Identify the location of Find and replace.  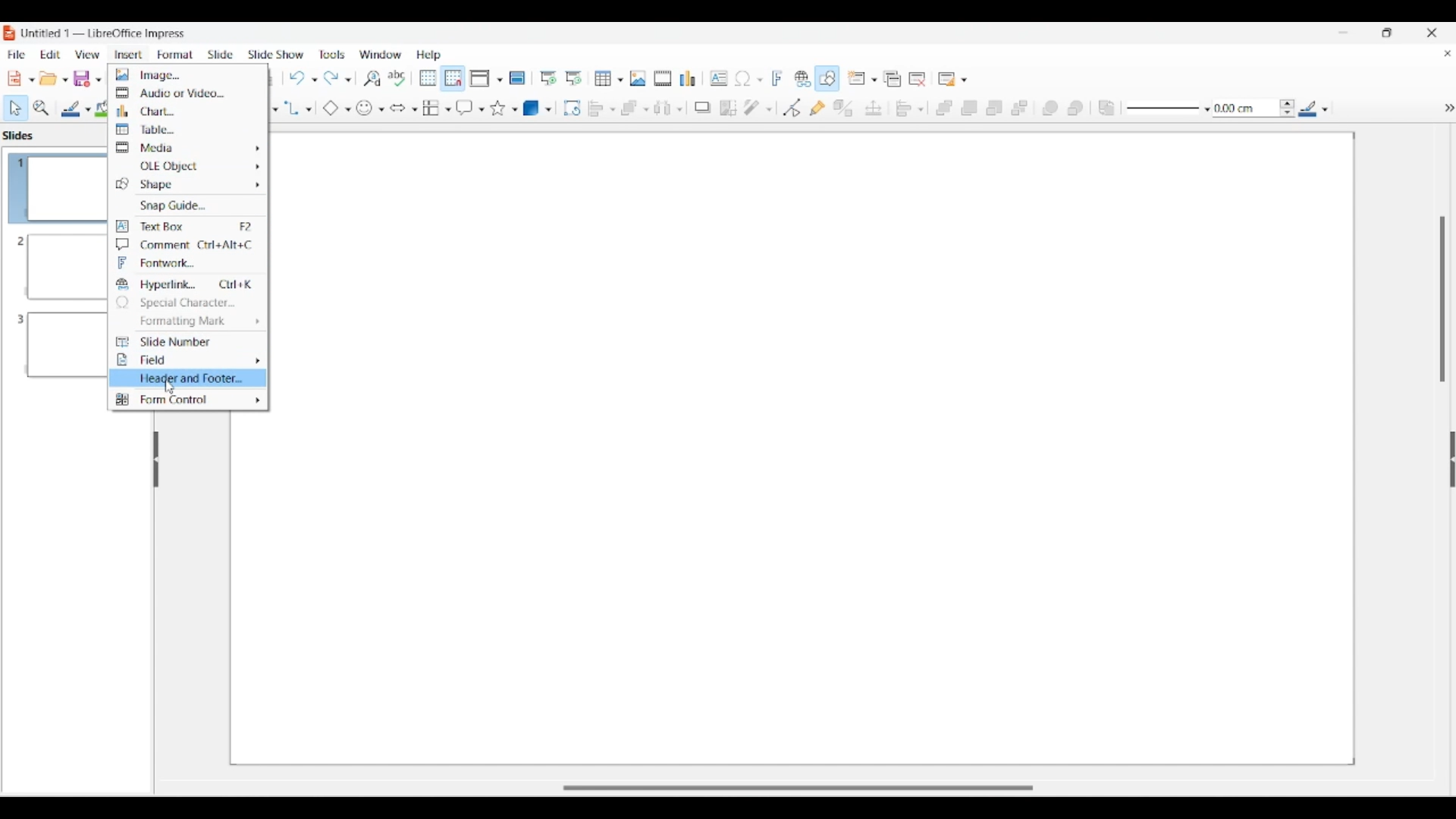
(372, 78).